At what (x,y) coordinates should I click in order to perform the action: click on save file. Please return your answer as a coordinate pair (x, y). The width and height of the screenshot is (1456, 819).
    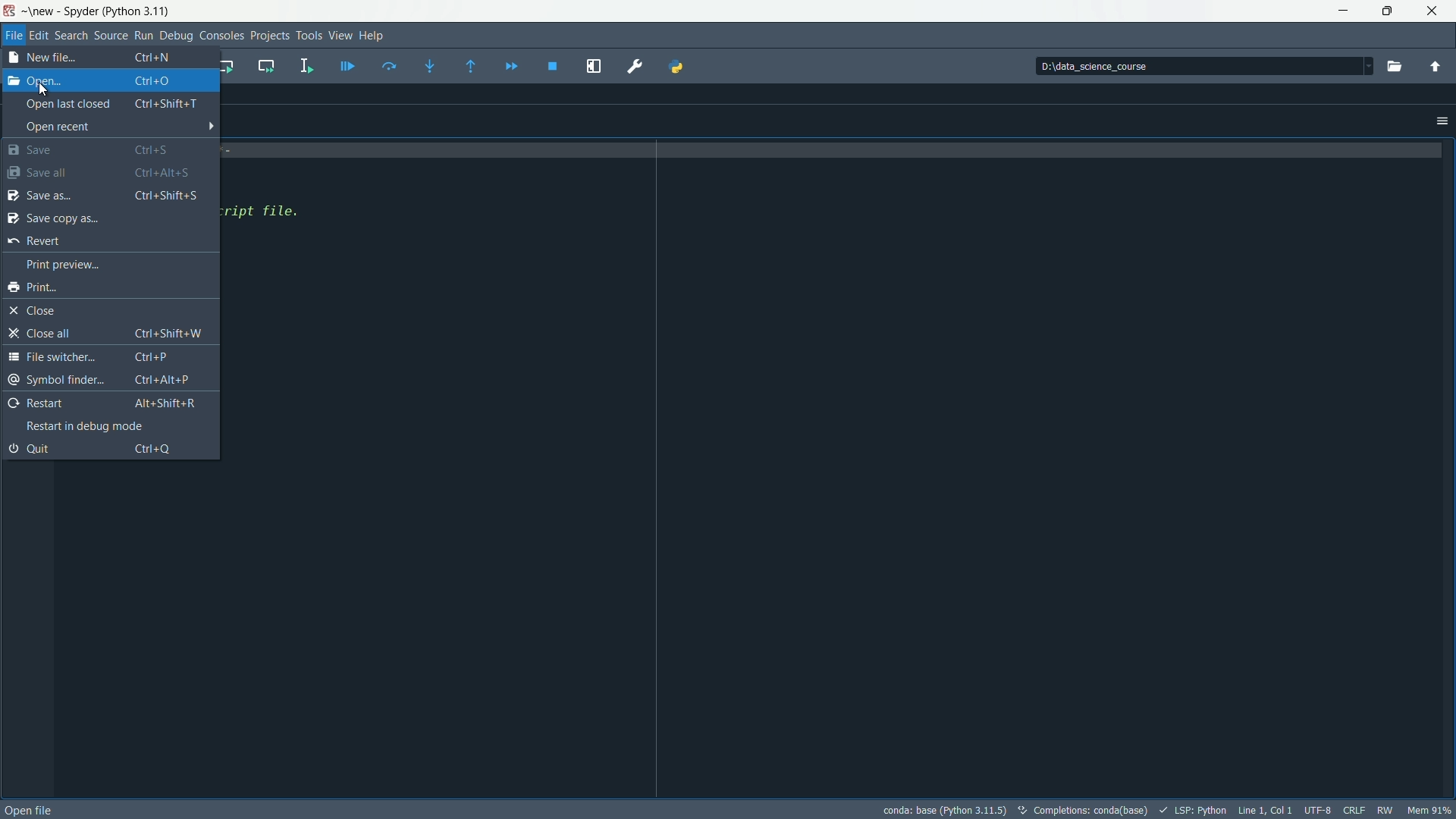
    Looking at the image, I should click on (103, 171).